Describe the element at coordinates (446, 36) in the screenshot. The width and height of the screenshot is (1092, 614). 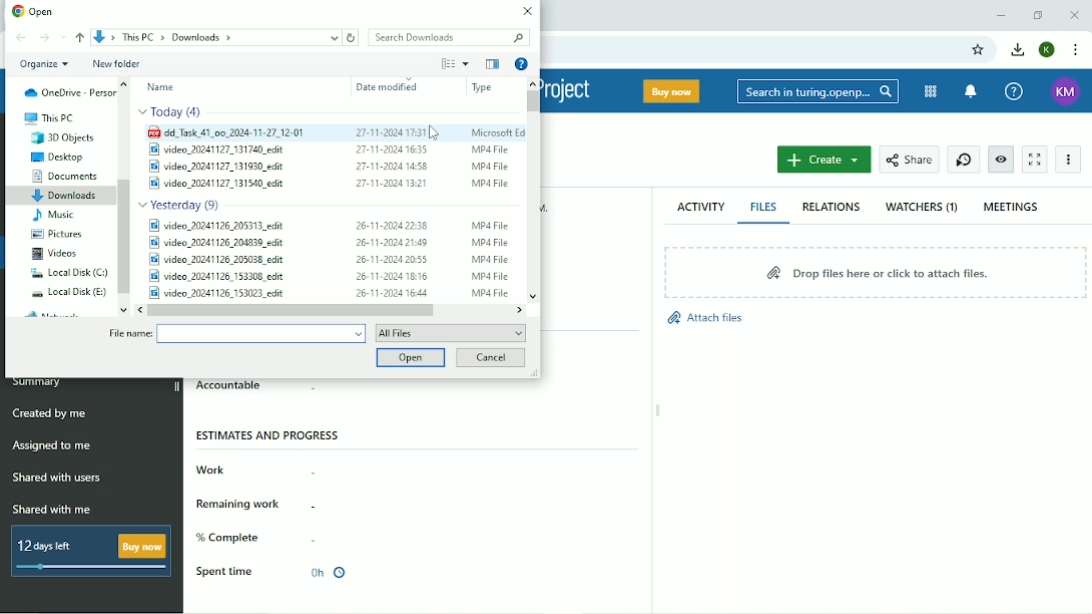
I see `Search Downloads` at that location.